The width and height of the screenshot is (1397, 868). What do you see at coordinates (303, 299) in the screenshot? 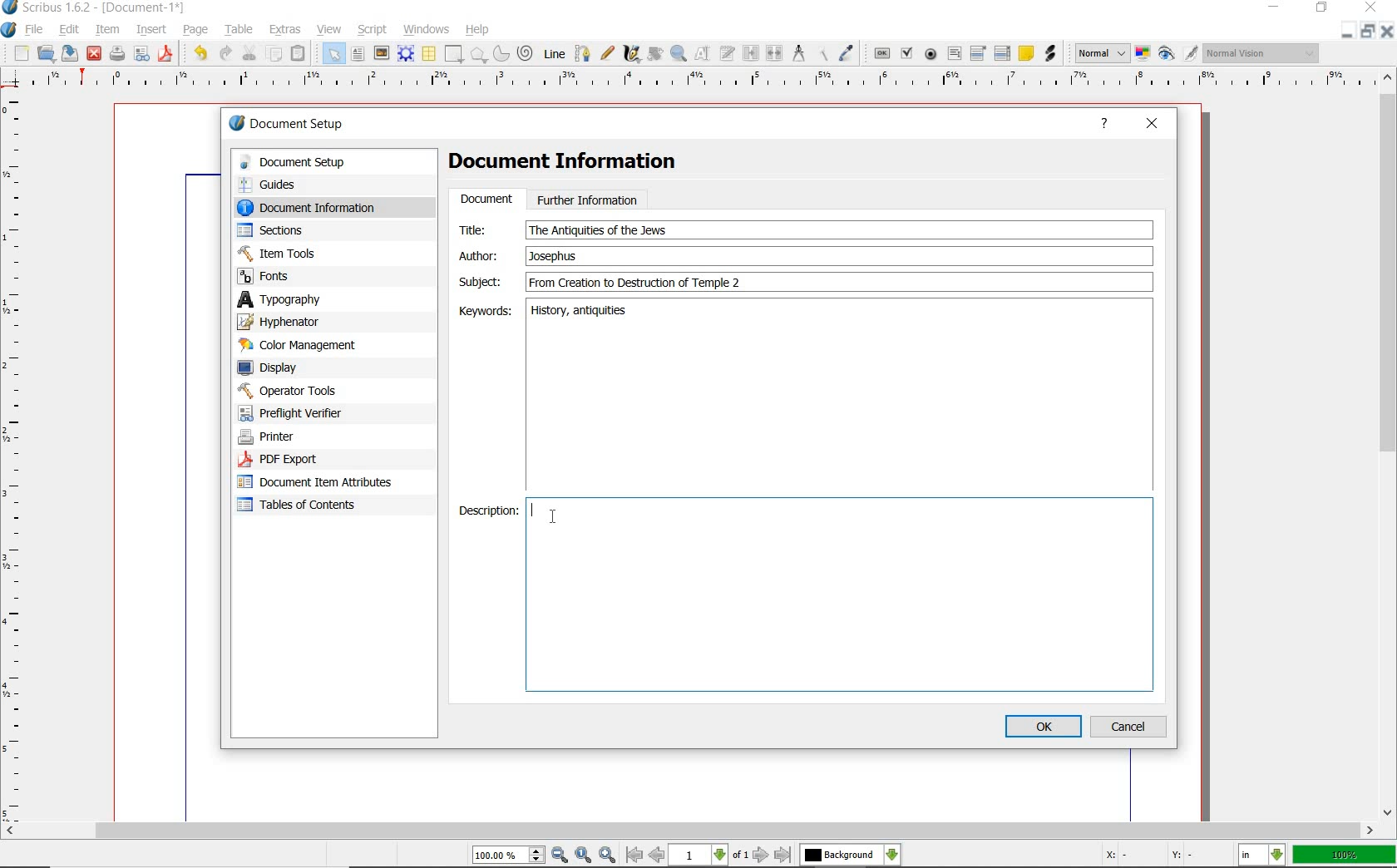
I see `typography` at bounding box center [303, 299].